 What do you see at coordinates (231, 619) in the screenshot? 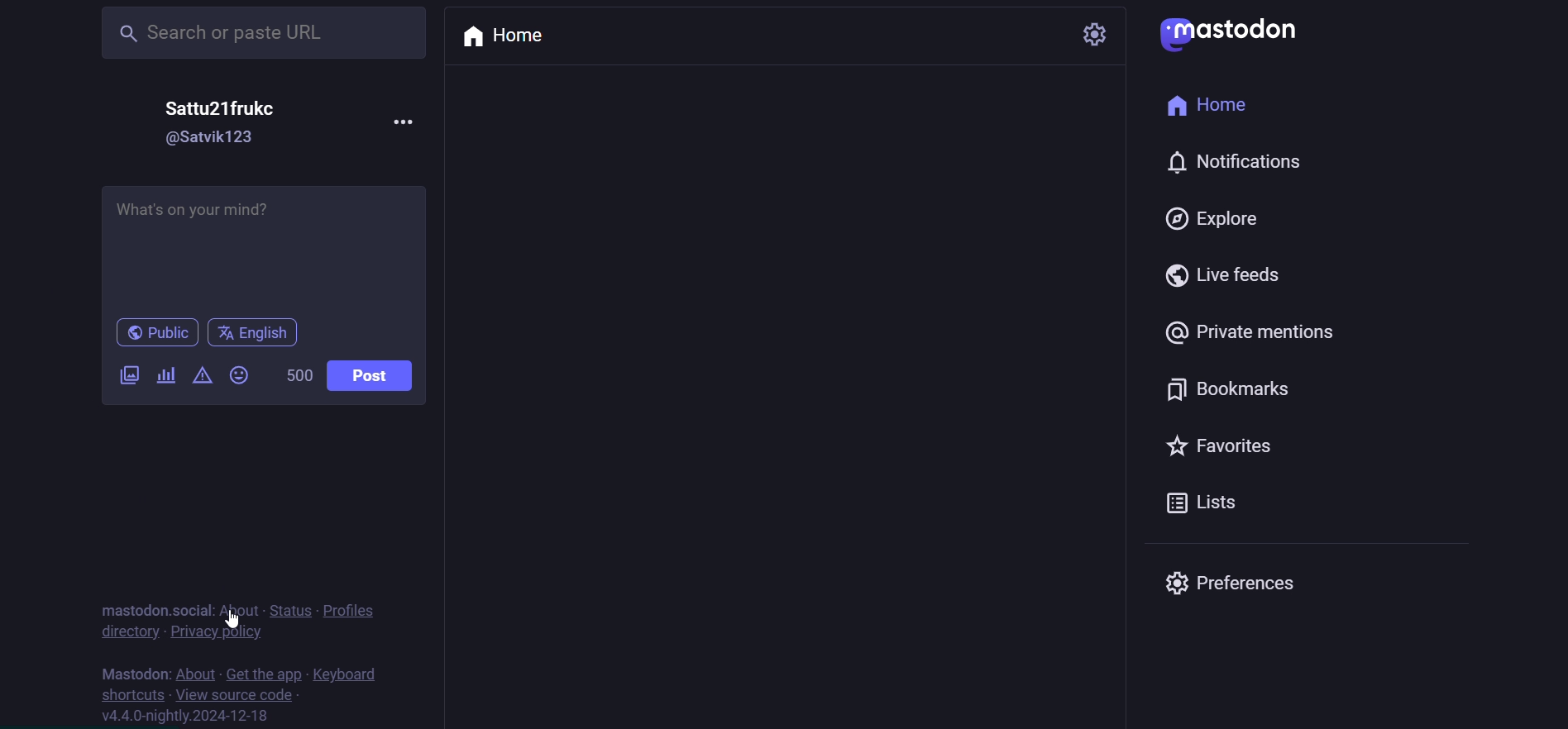
I see `pointer` at bounding box center [231, 619].